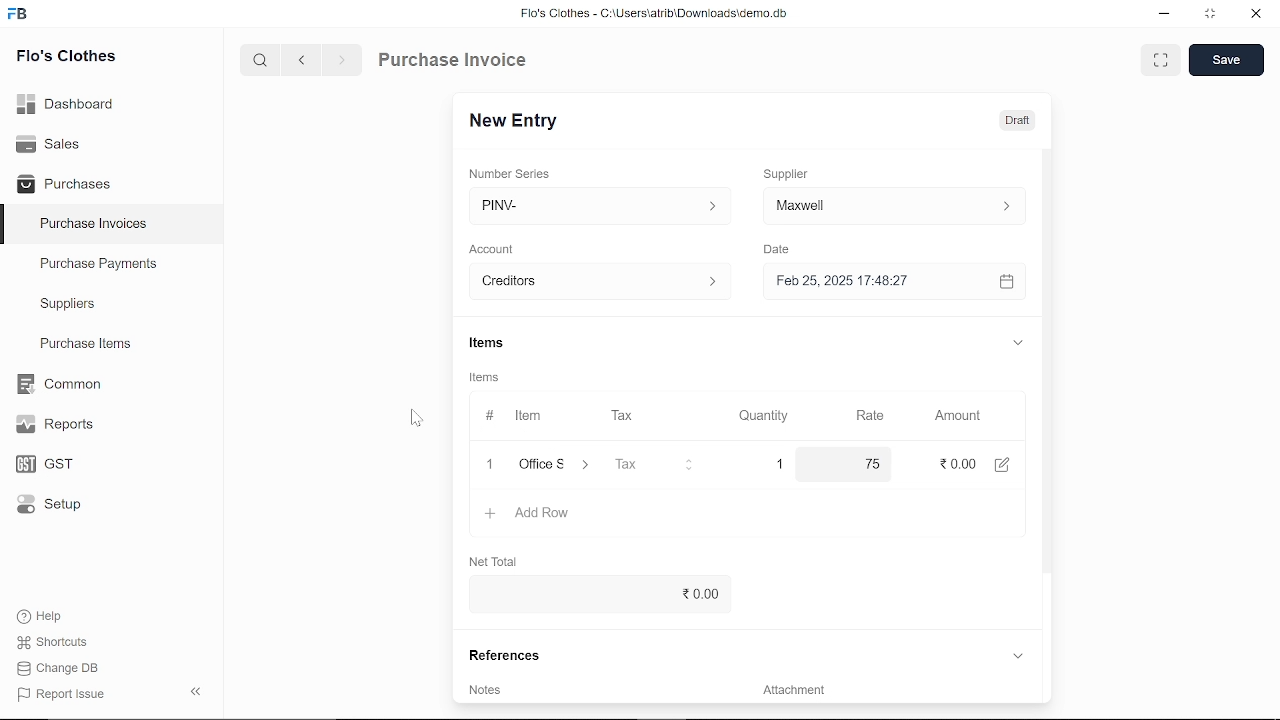 The width and height of the screenshot is (1280, 720). Describe the element at coordinates (1254, 16) in the screenshot. I see `close` at that location.